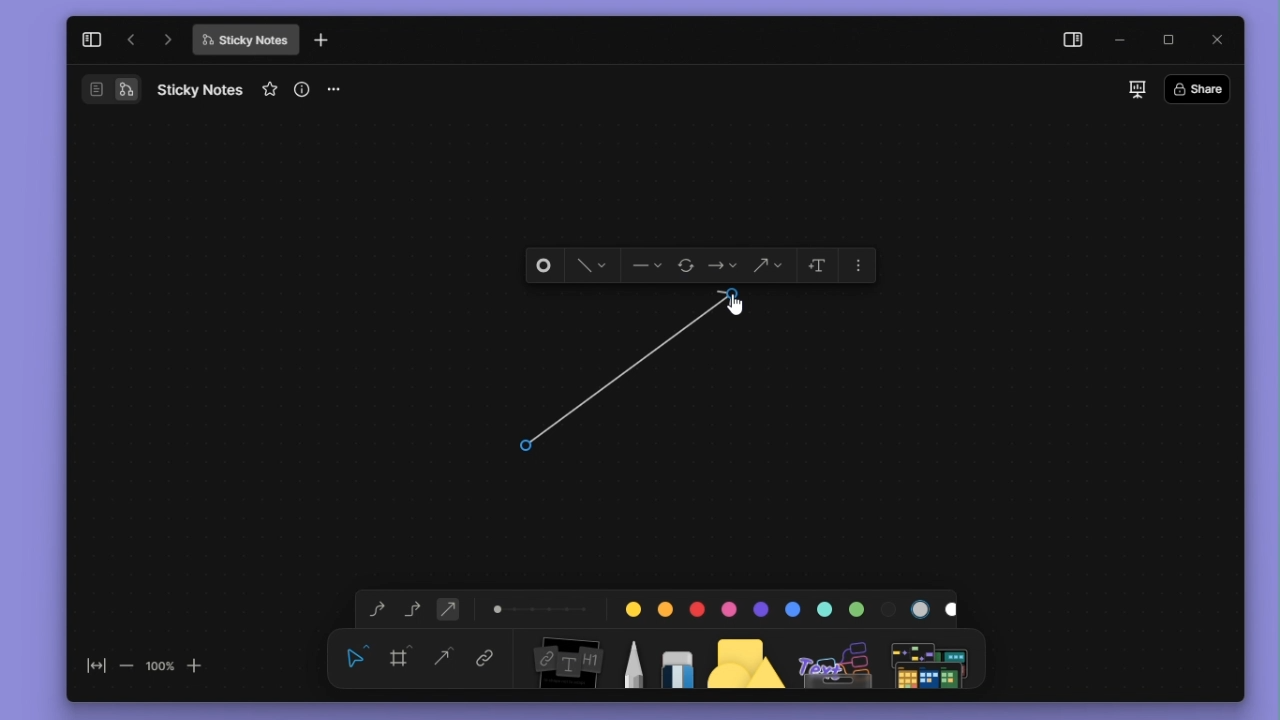 The height and width of the screenshot is (720, 1280). I want to click on zoom in, so click(196, 664).